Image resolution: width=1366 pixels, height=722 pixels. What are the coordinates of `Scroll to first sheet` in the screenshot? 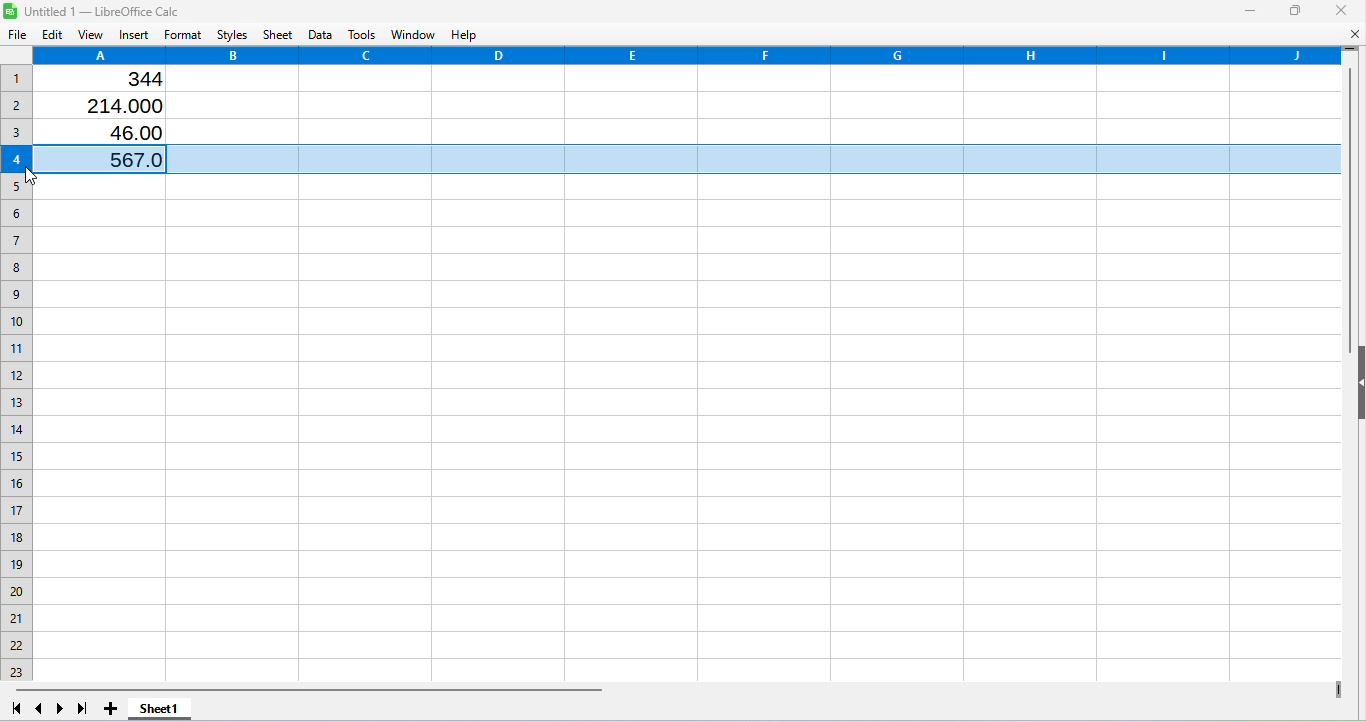 It's located at (13, 709).